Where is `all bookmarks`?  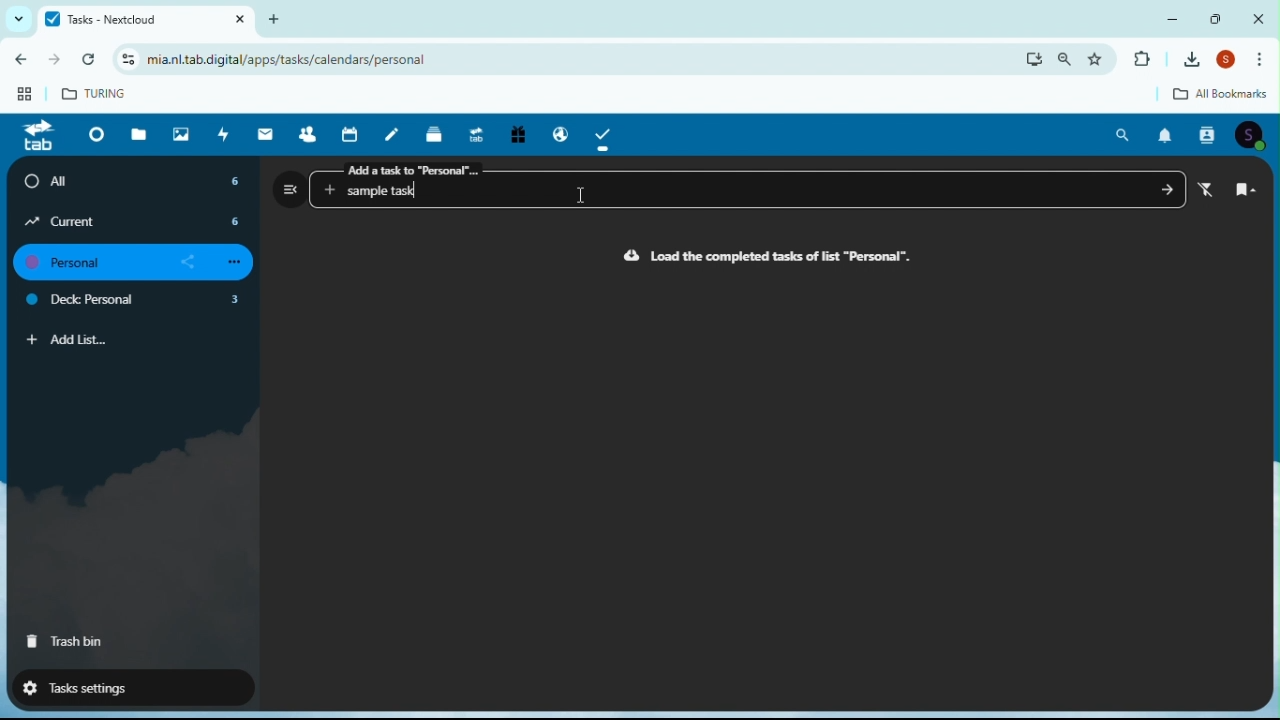 all bookmarks is located at coordinates (1205, 95).